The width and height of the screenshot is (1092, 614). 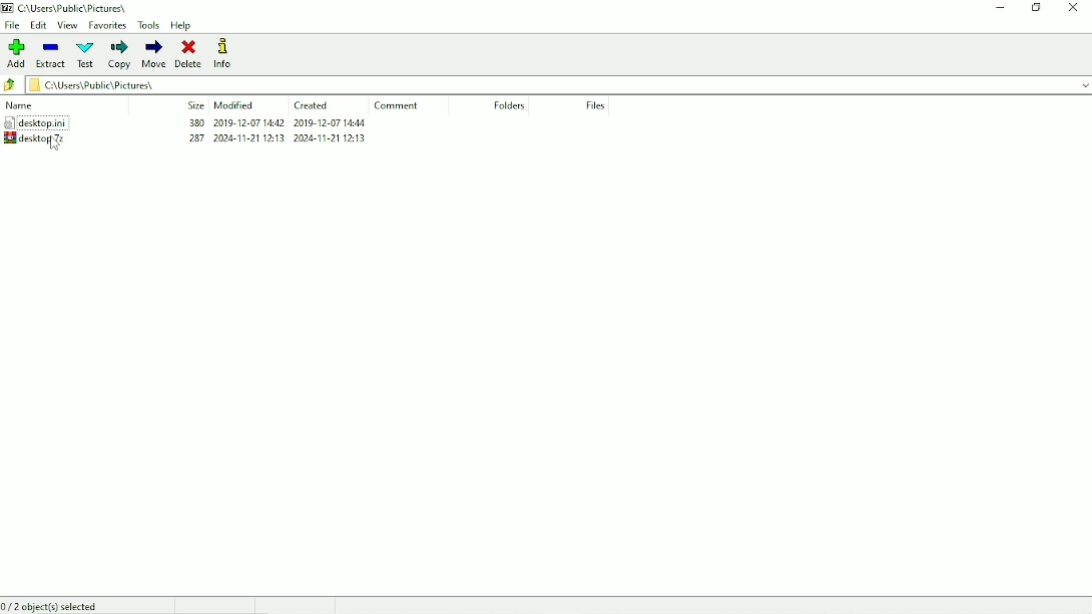 What do you see at coordinates (1035, 8) in the screenshot?
I see `Restore down` at bounding box center [1035, 8].